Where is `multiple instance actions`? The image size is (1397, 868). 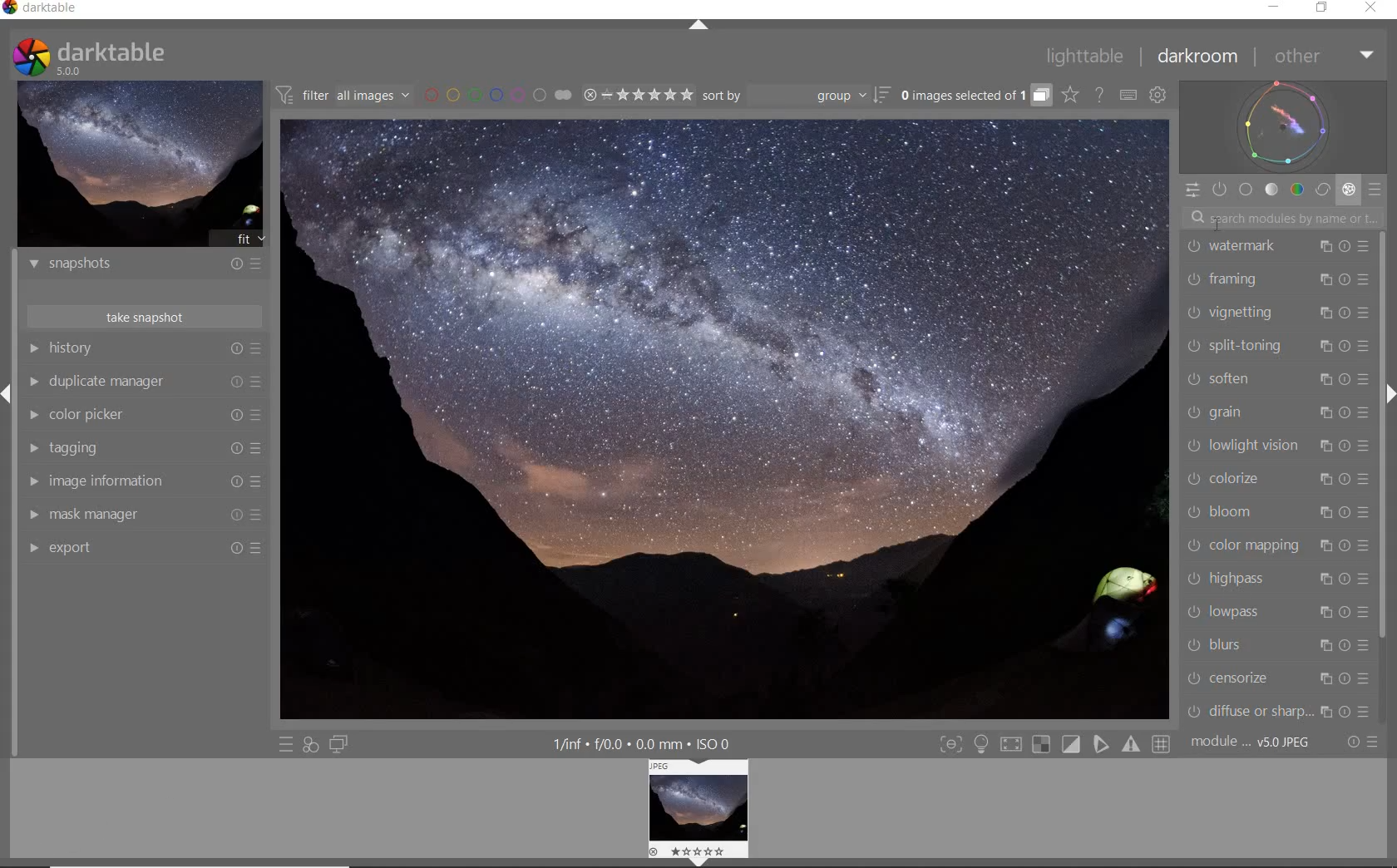 multiple instance actions is located at coordinates (1325, 713).